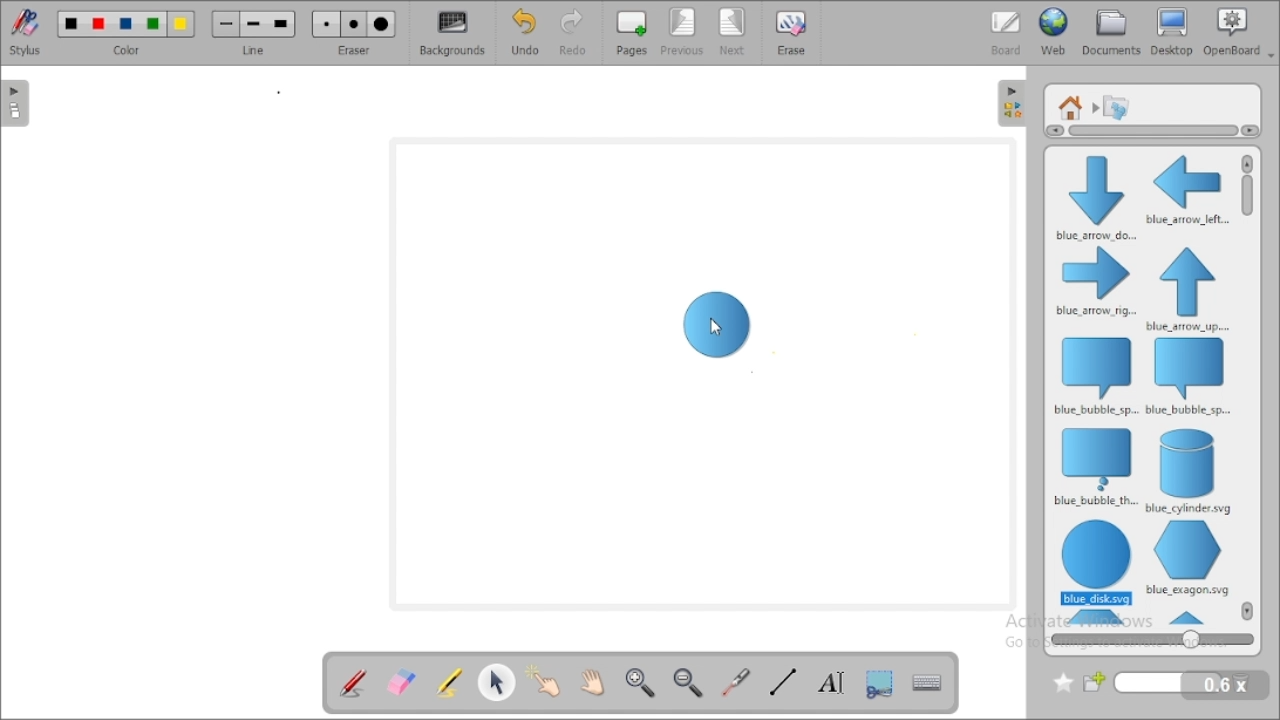 The height and width of the screenshot is (720, 1280). I want to click on horizontal scroll bar, so click(1148, 131).